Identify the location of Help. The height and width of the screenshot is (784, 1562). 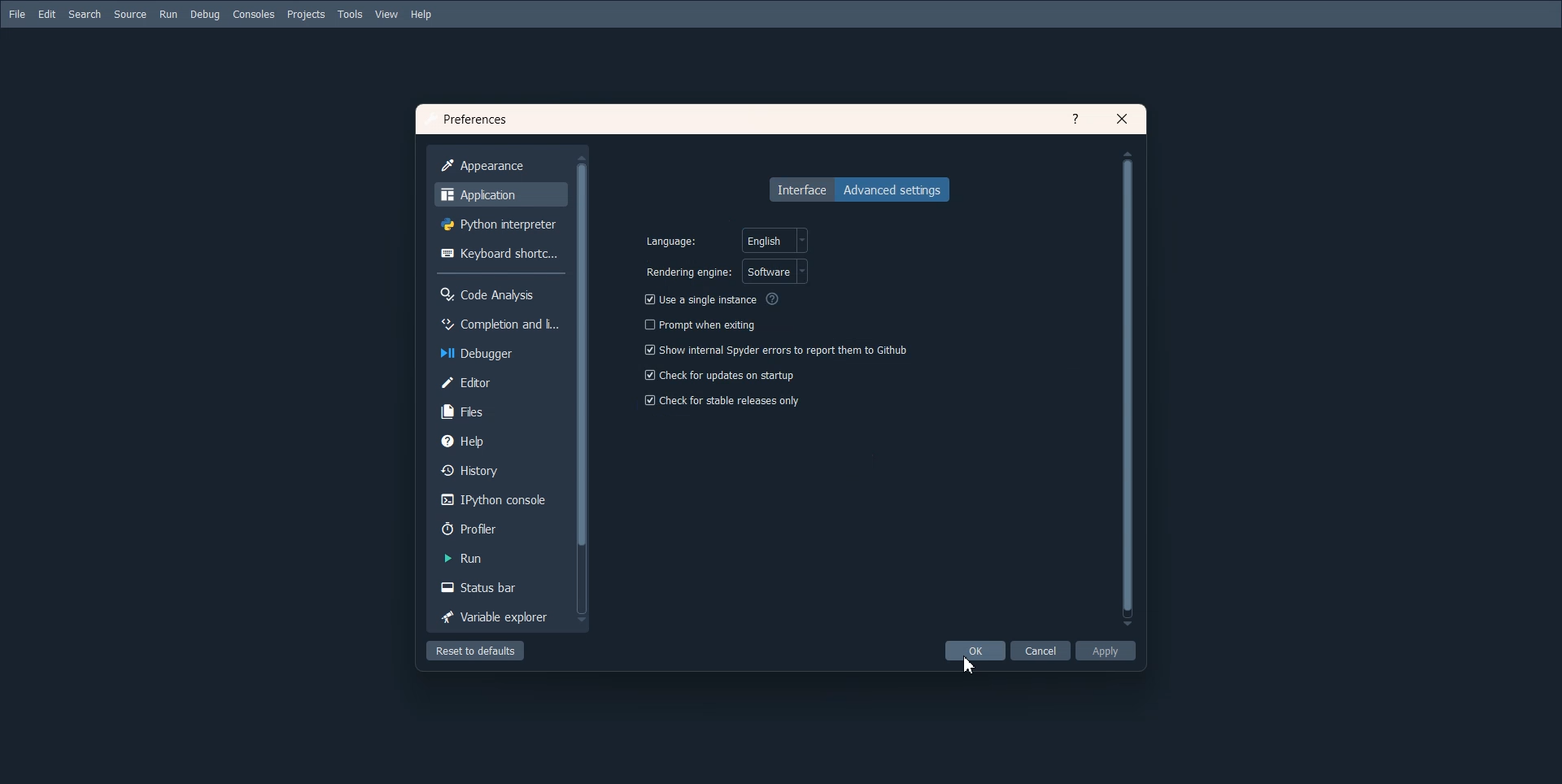
(500, 440).